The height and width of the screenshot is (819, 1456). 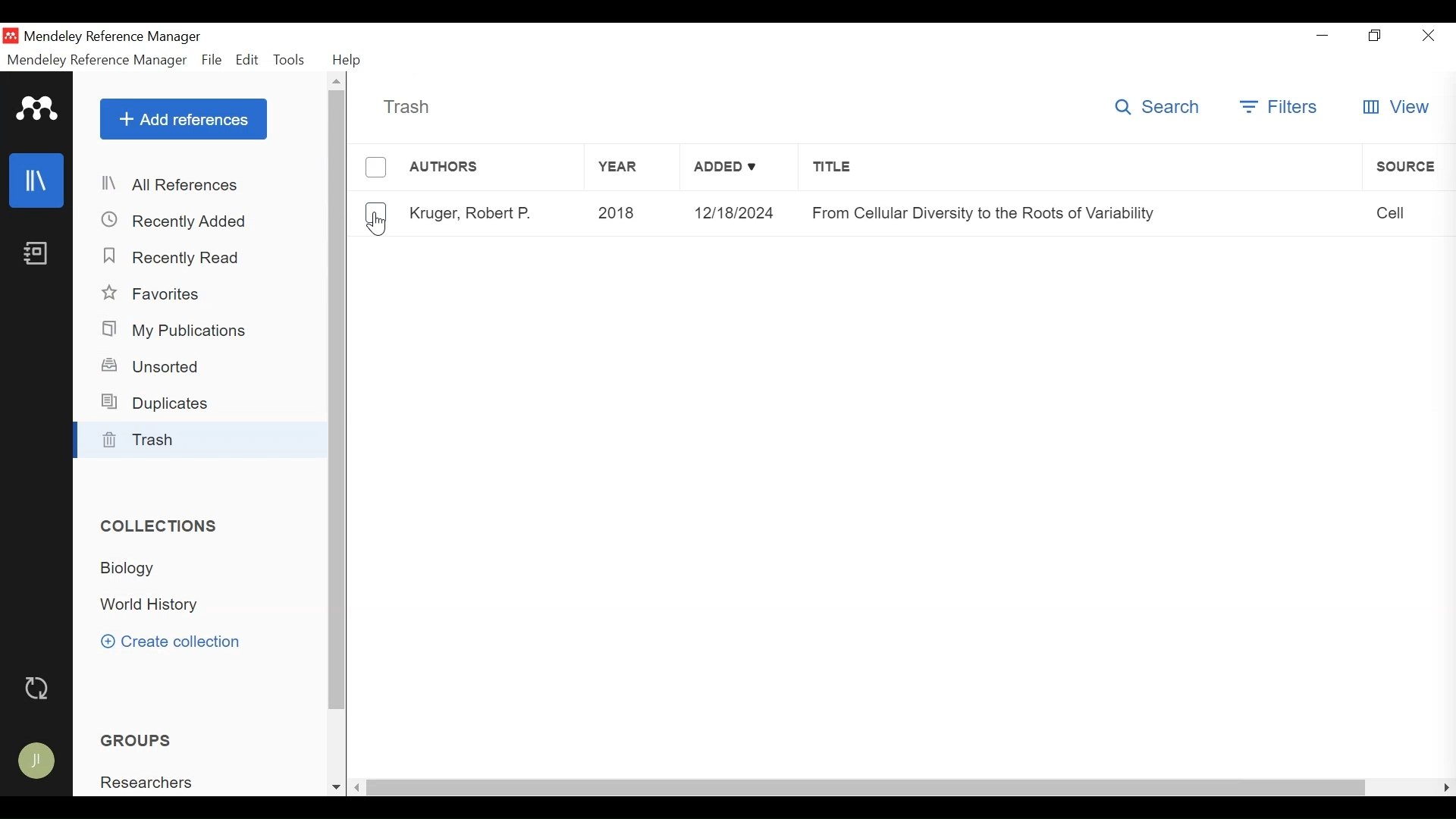 I want to click on Restore, so click(x=1373, y=36).